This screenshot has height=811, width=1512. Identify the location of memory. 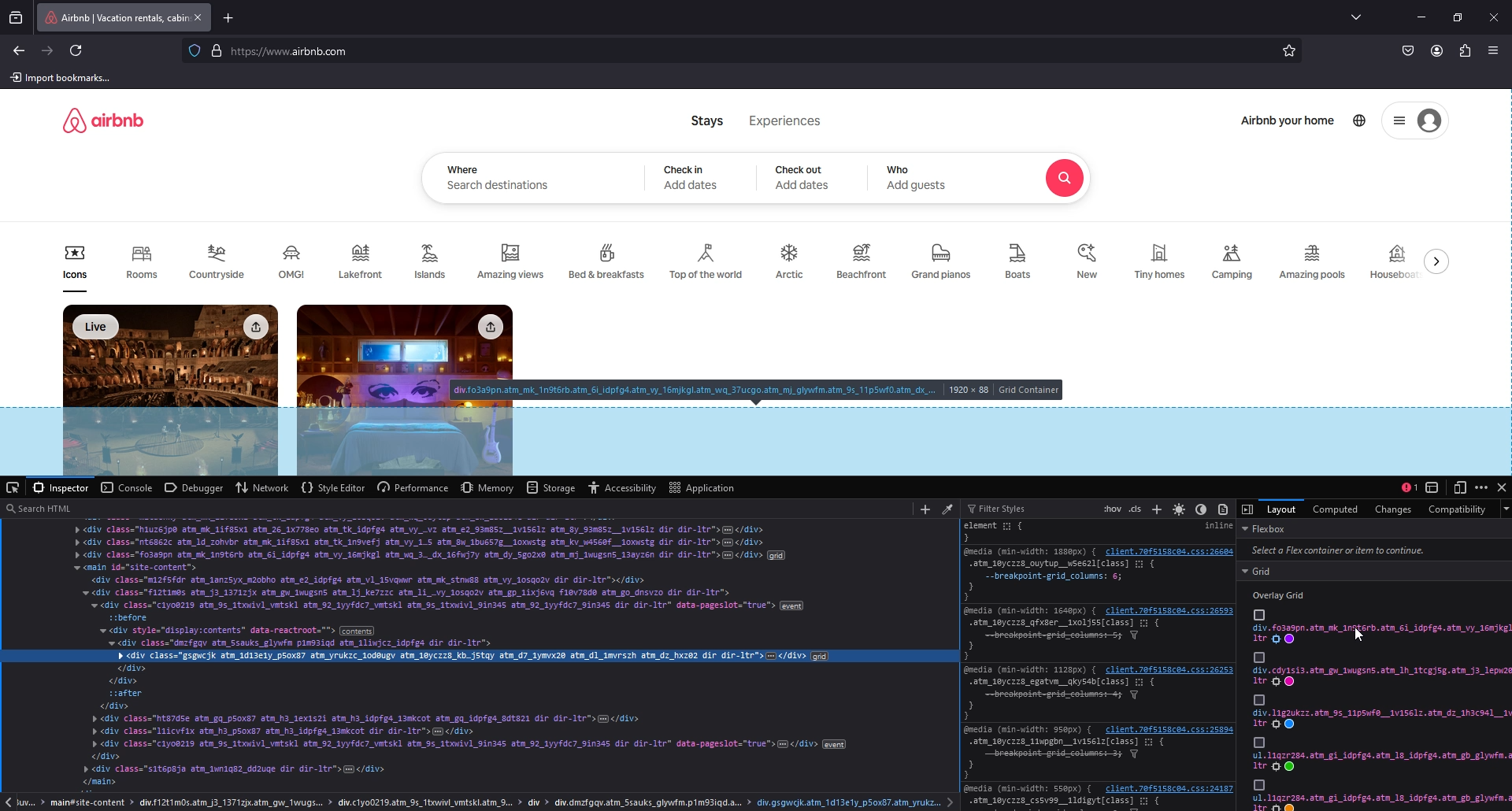
(489, 487).